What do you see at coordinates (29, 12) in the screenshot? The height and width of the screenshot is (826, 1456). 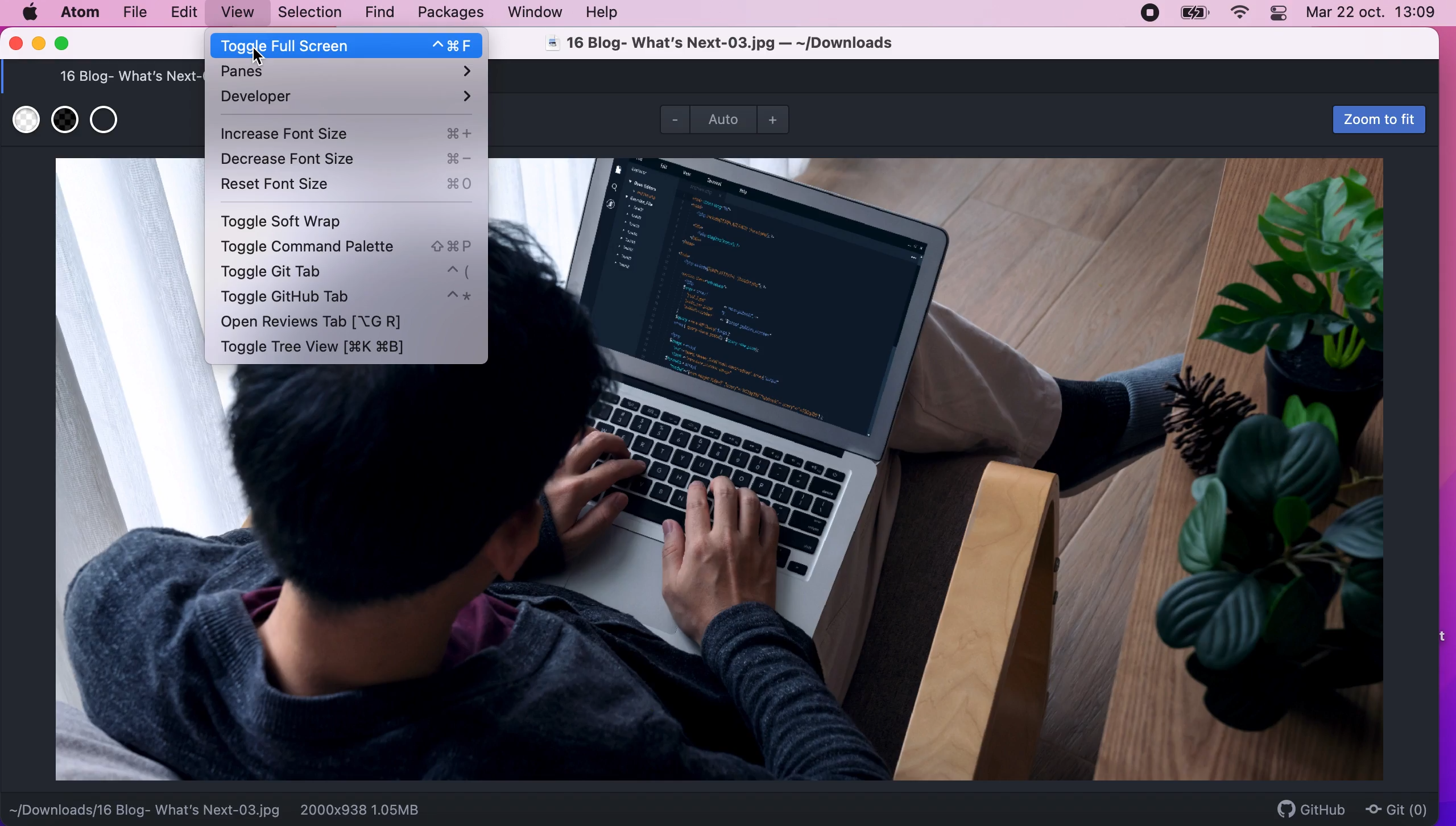 I see `mac logo` at bounding box center [29, 12].